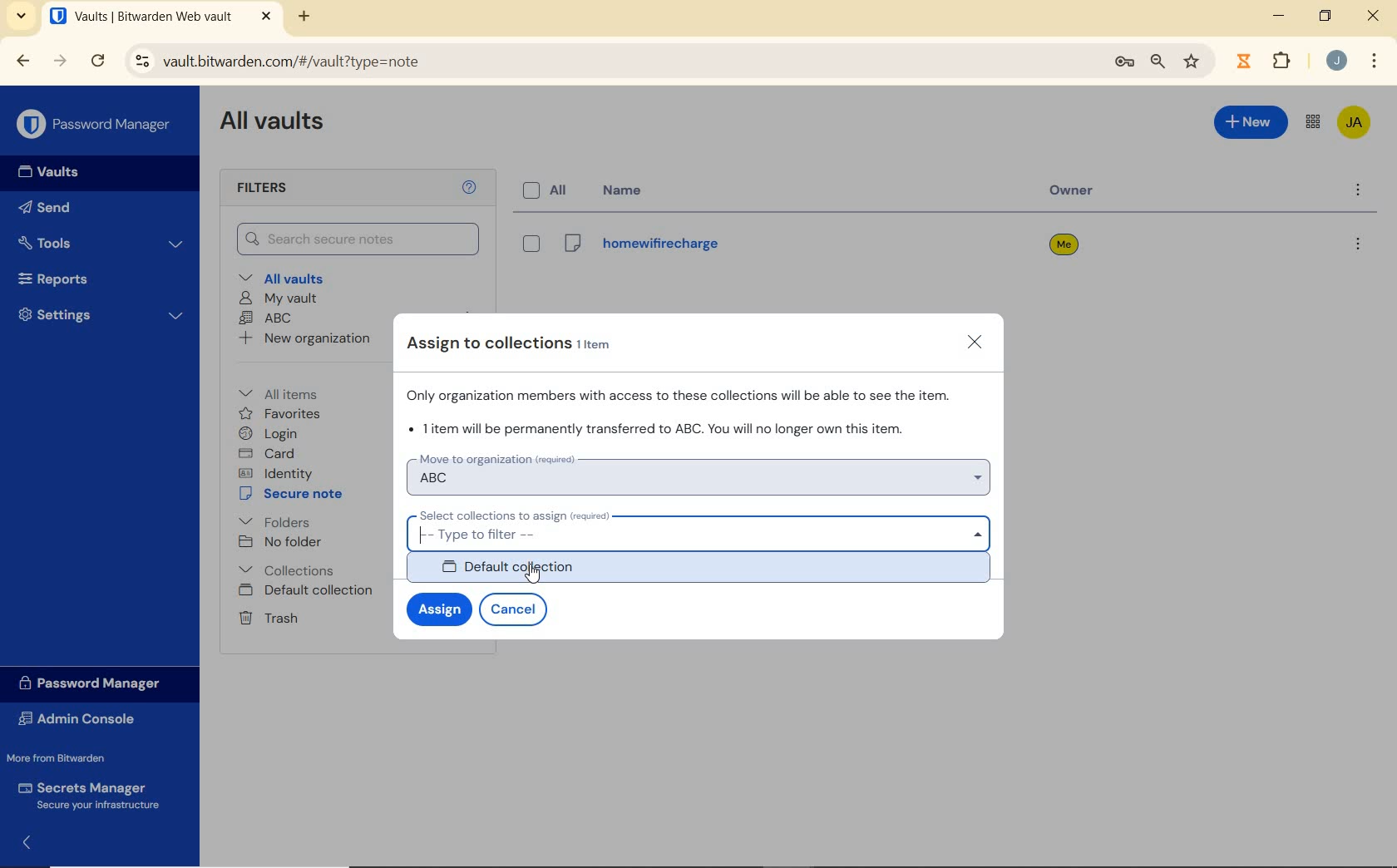  What do you see at coordinates (93, 795) in the screenshot?
I see `Secrets Manager` at bounding box center [93, 795].